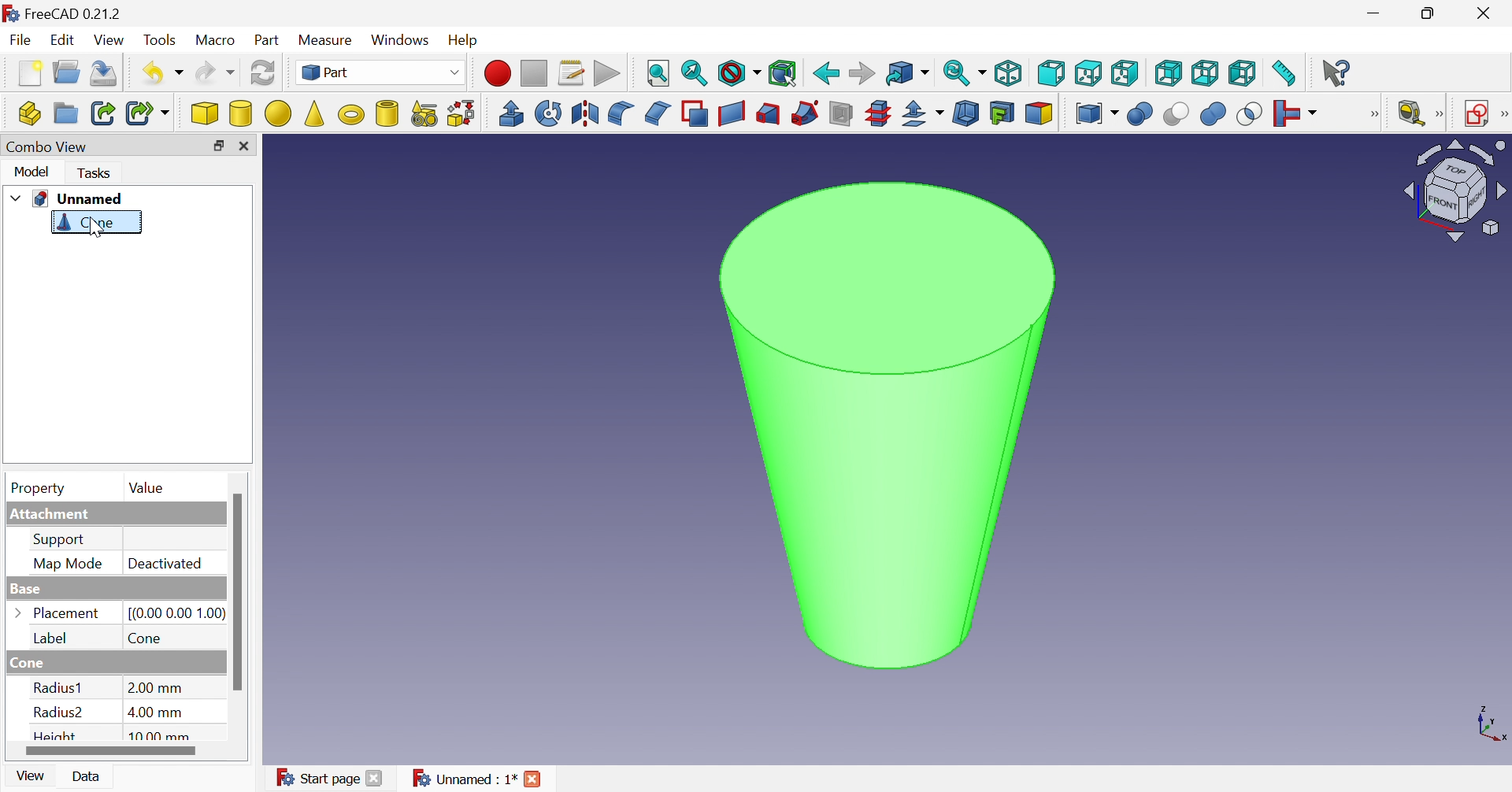 The width and height of the screenshot is (1512, 792). Describe the element at coordinates (206, 114) in the screenshot. I see `Cube` at that location.